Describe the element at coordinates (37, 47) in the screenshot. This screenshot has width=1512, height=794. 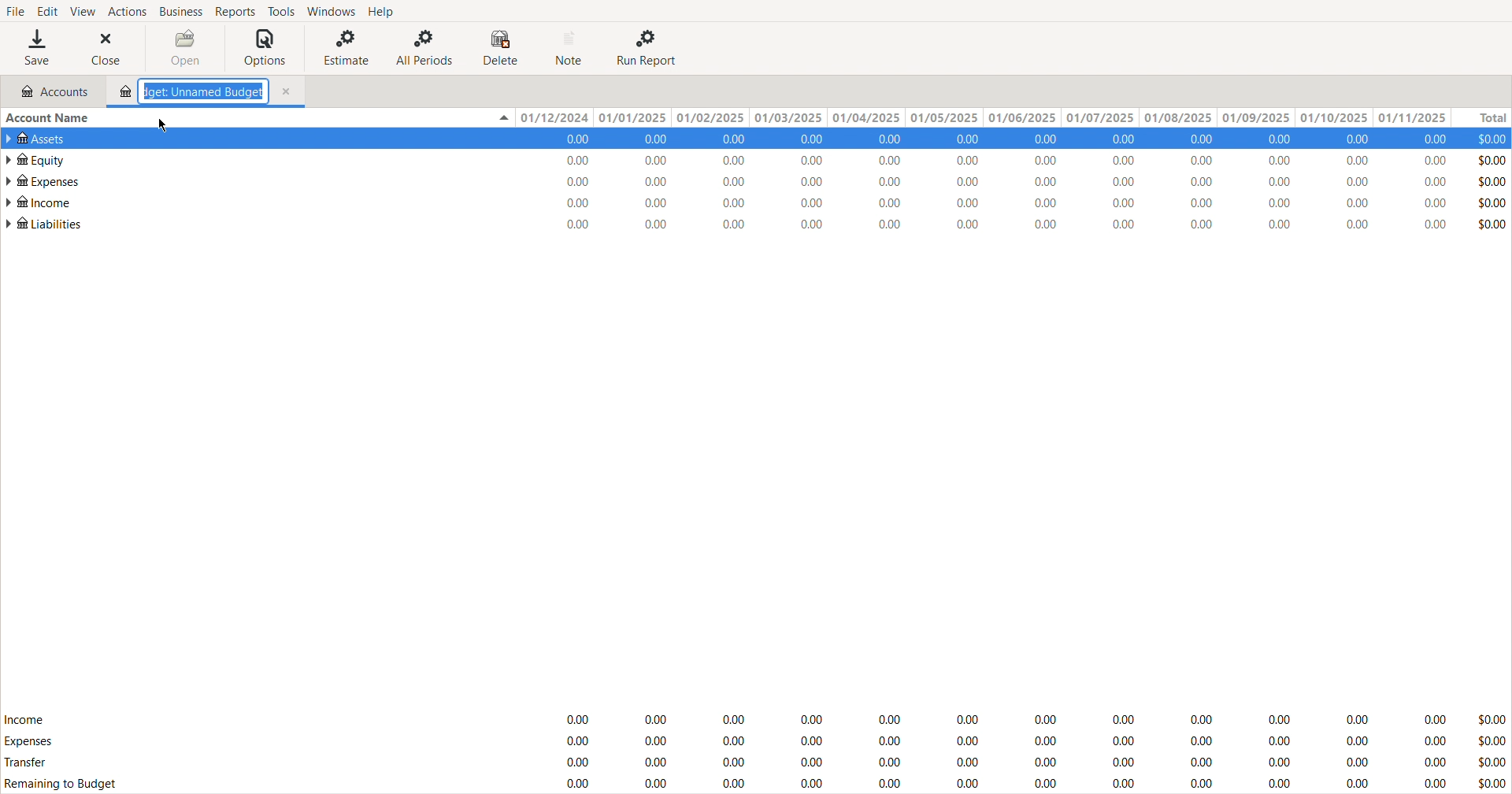
I see `Save` at that location.